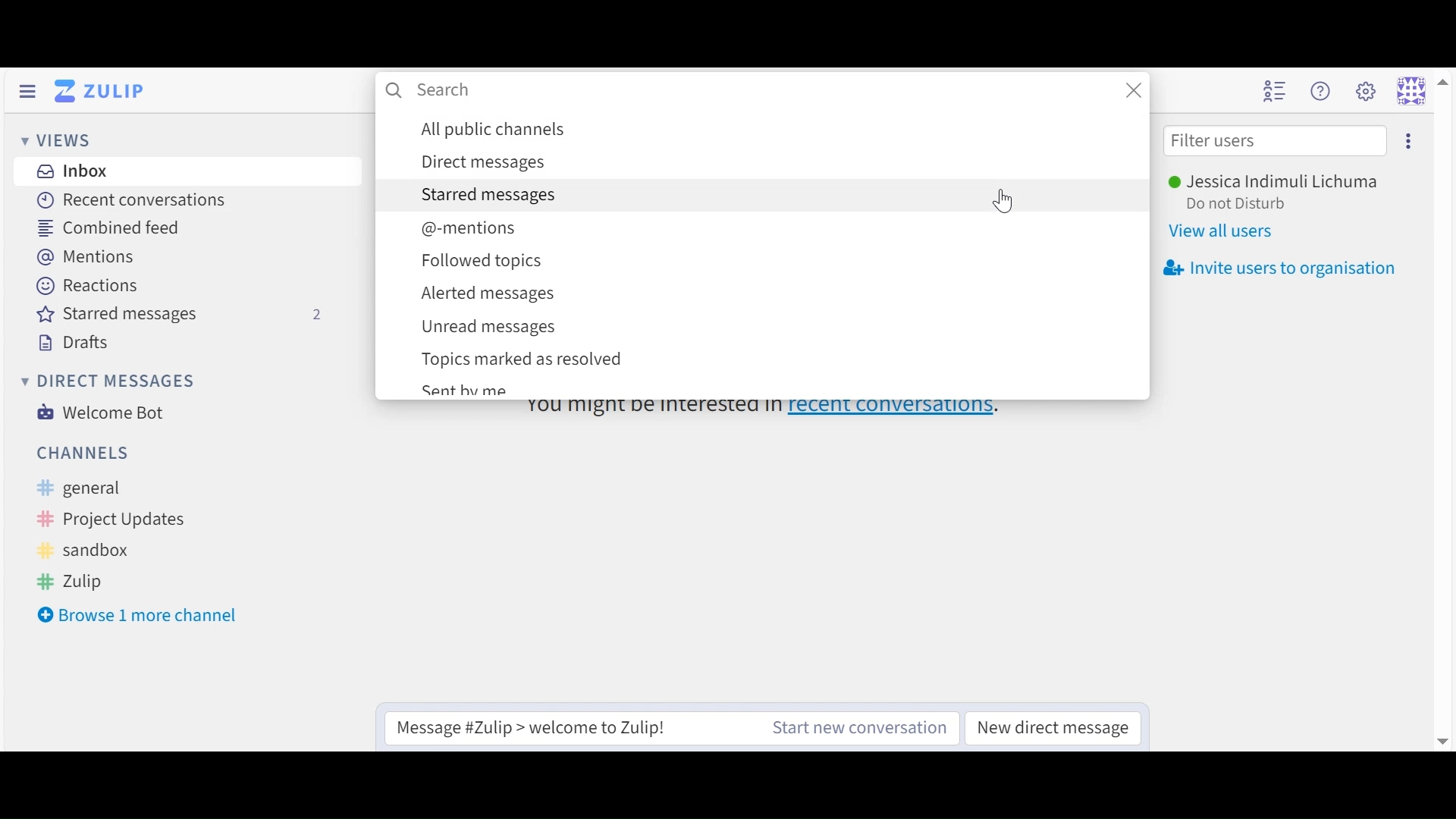 This screenshot has height=819, width=1456. What do you see at coordinates (1282, 181) in the screenshot?
I see `Username` at bounding box center [1282, 181].